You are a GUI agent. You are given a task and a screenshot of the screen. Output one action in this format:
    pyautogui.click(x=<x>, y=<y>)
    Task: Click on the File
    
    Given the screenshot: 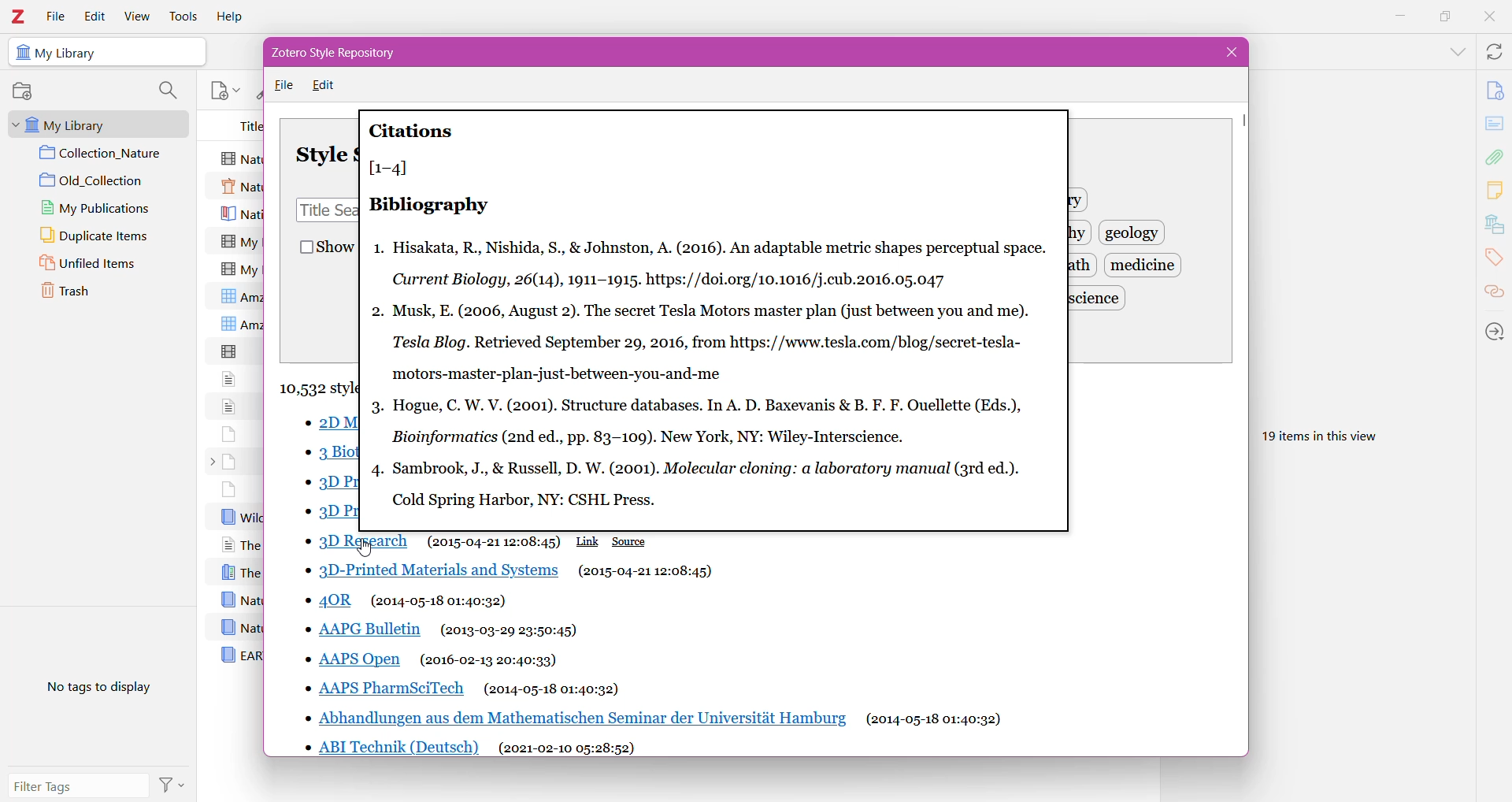 What is the action you would take?
    pyautogui.click(x=56, y=16)
    